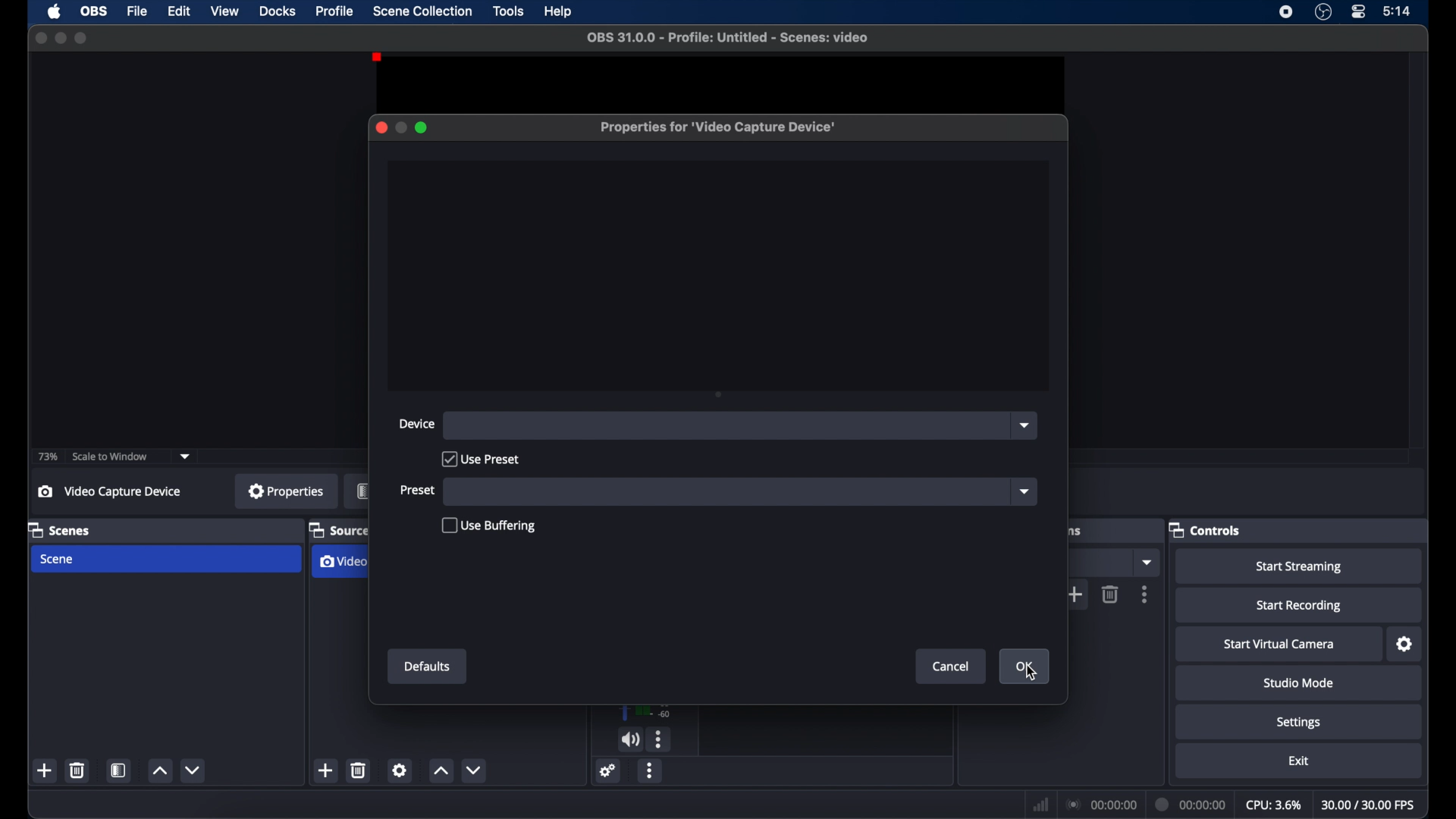 The height and width of the screenshot is (819, 1456). Describe the element at coordinates (1191, 803) in the screenshot. I see `duration` at that location.